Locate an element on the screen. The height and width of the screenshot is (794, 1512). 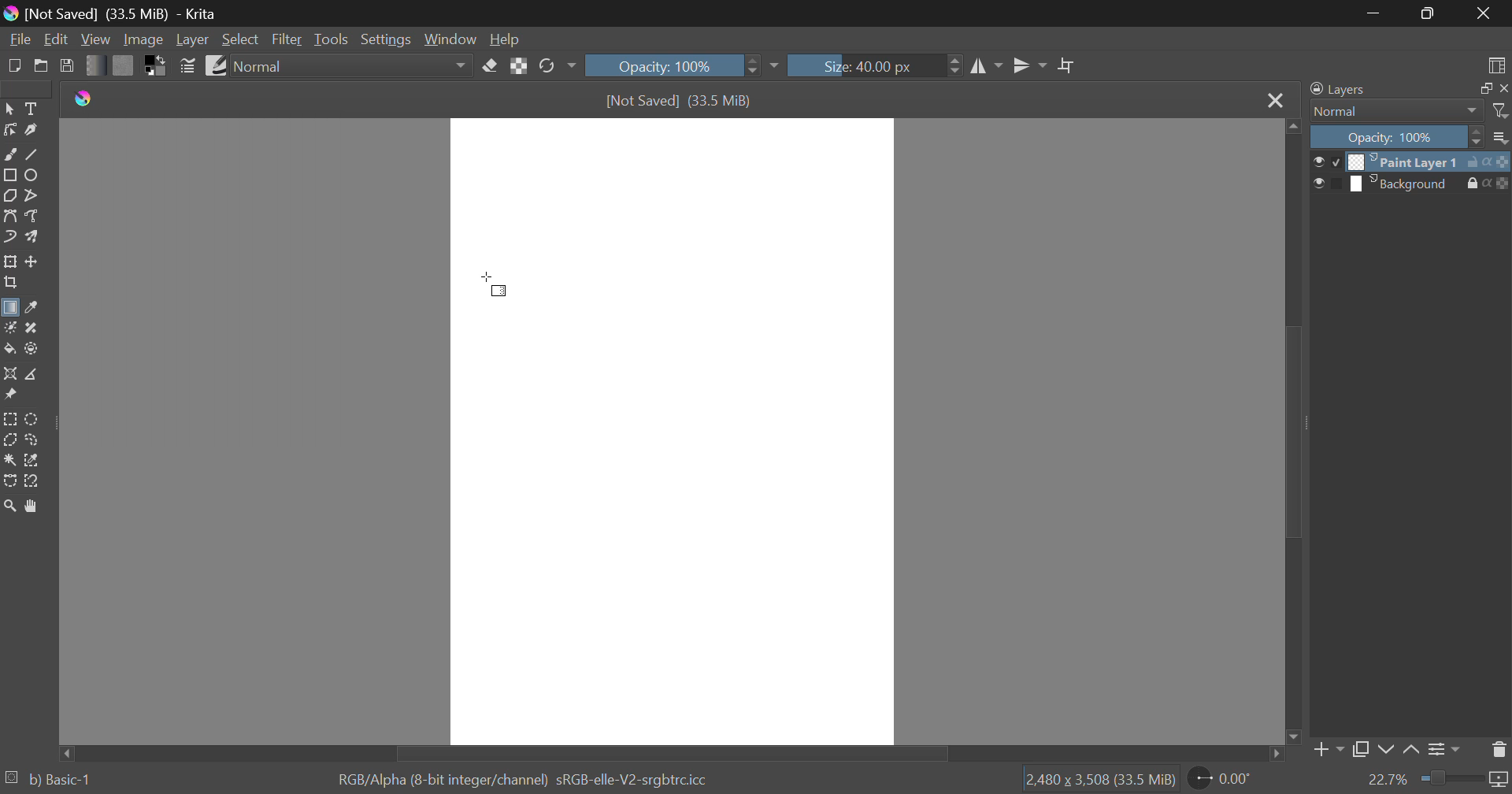
Polygon is located at coordinates (9, 195).